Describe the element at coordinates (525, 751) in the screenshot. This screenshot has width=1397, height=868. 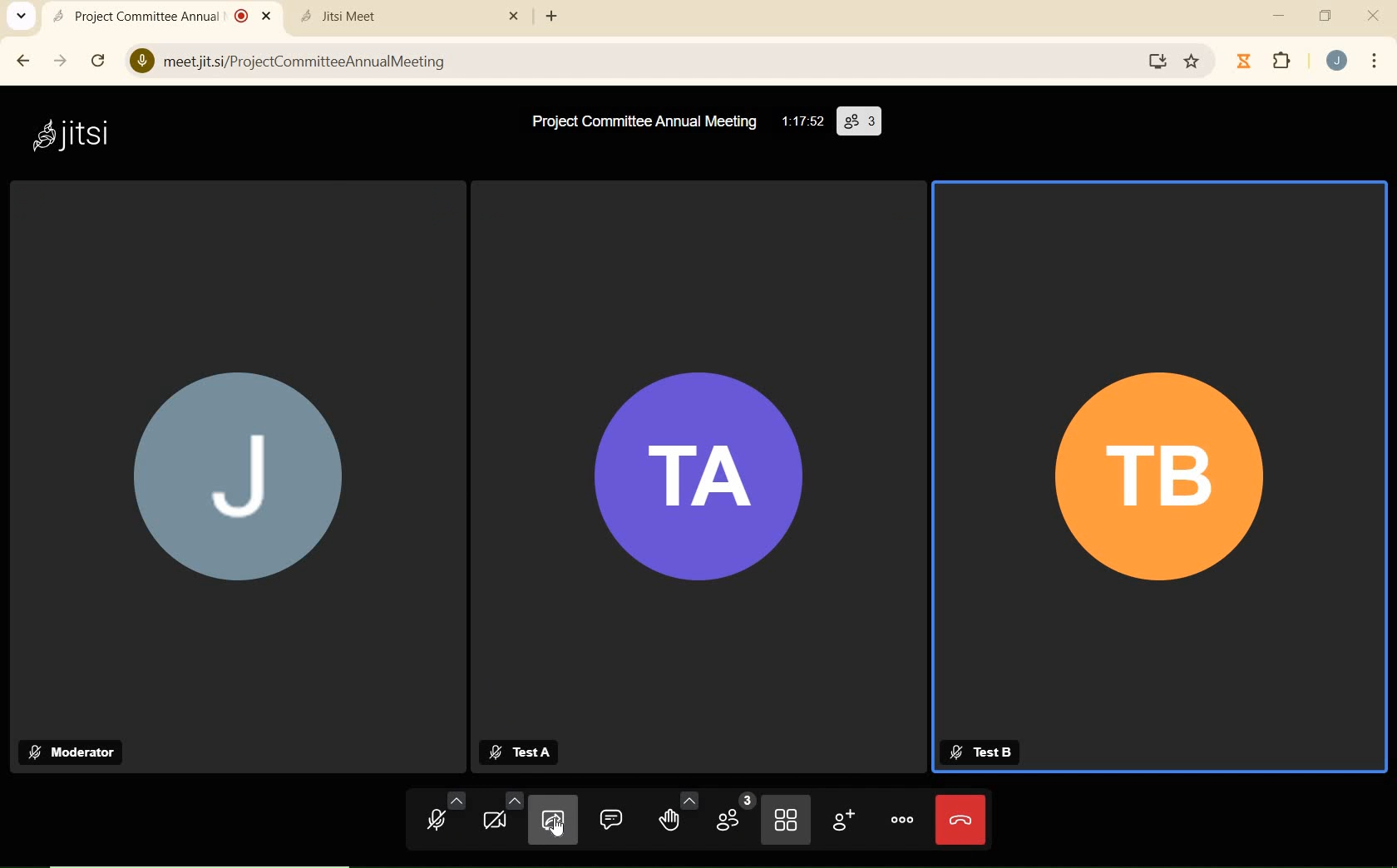
I see `Test A` at that location.